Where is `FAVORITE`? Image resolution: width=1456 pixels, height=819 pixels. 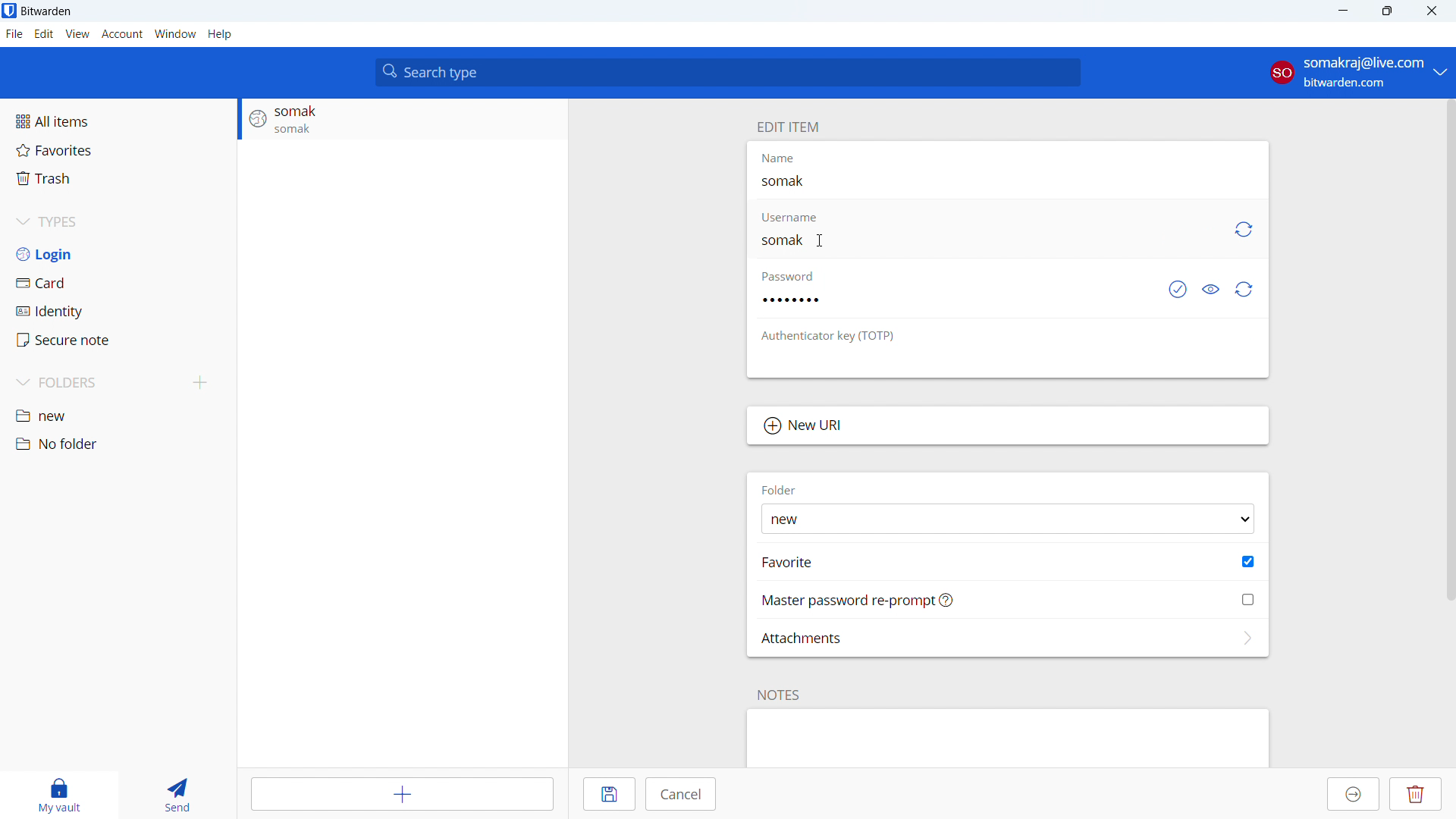
FAVORITE is located at coordinates (789, 562).